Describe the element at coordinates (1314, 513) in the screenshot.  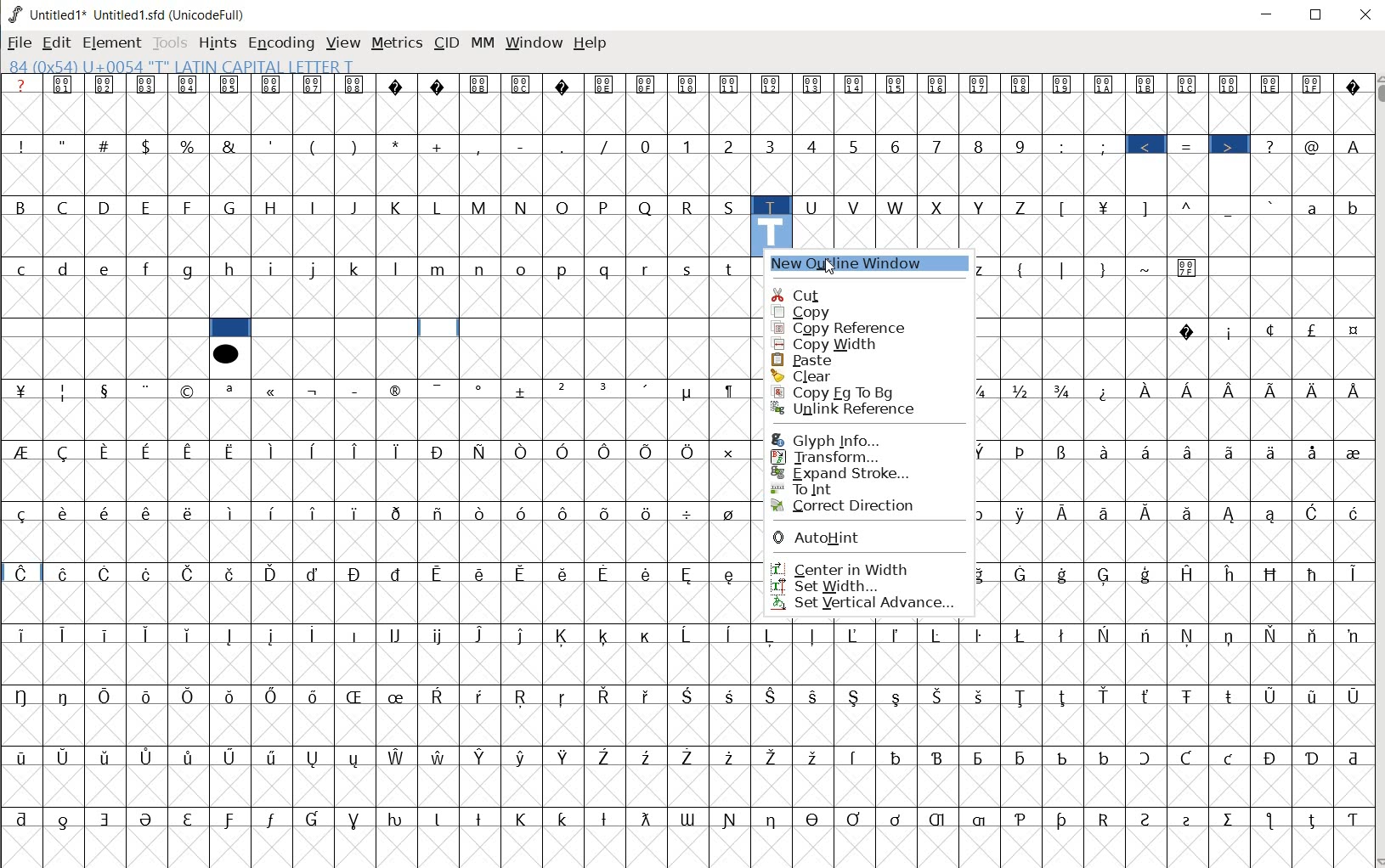
I see `Symbol` at that location.